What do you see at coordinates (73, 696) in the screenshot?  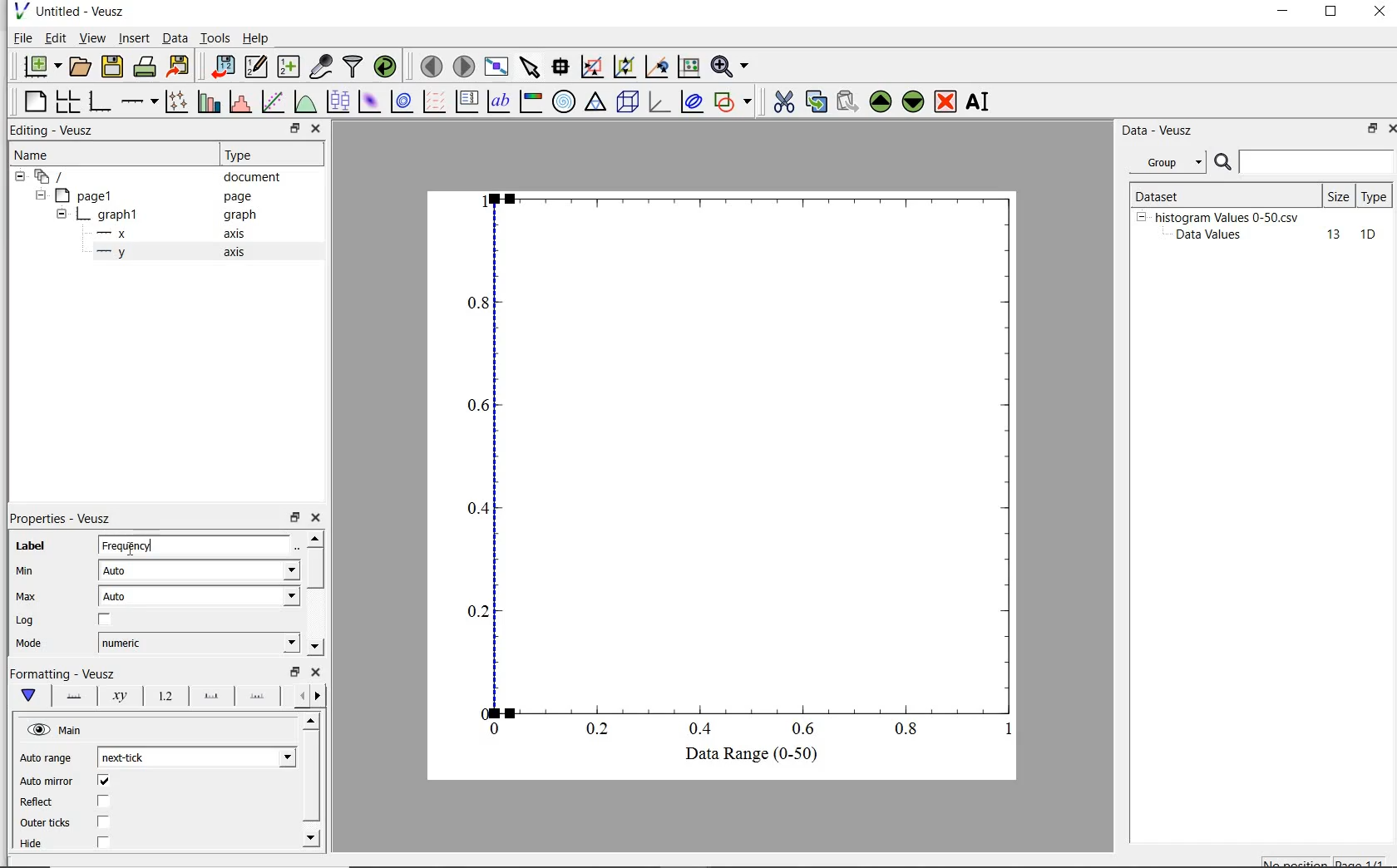 I see `axis line` at bounding box center [73, 696].